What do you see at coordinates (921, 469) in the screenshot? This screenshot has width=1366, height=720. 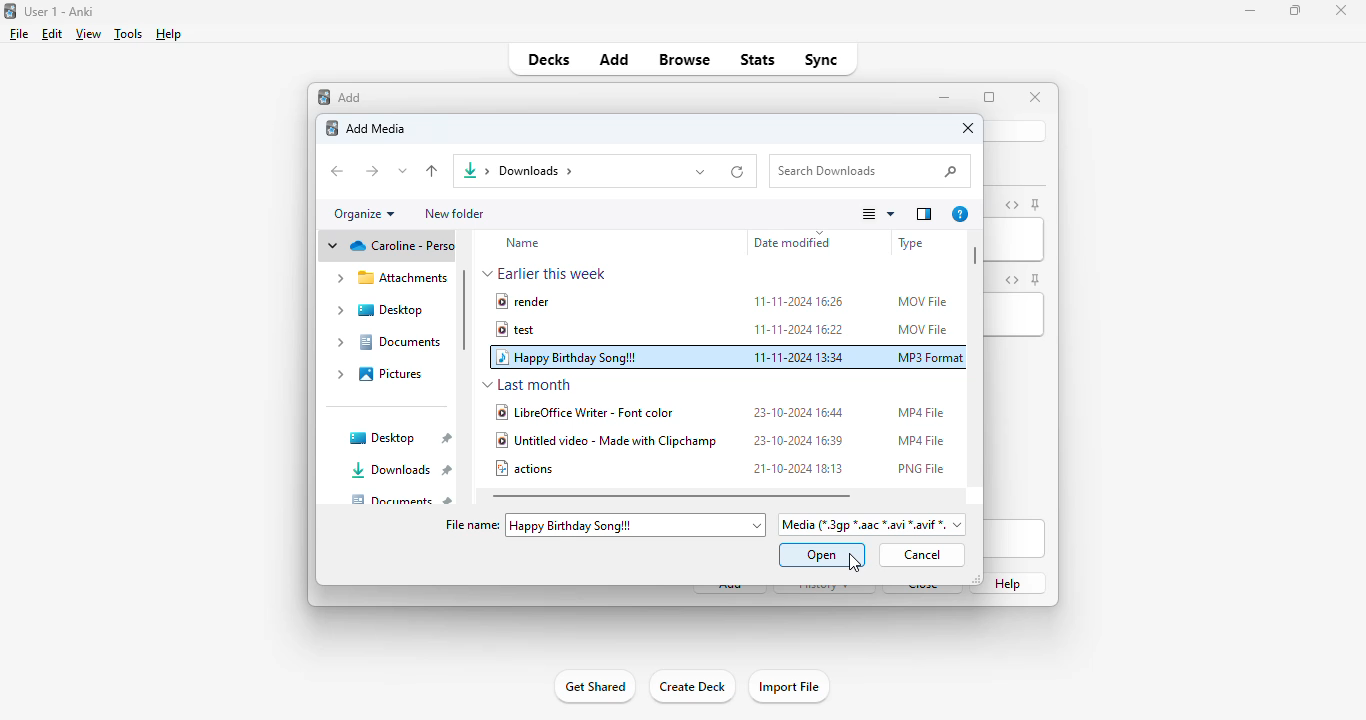 I see `PNG file` at bounding box center [921, 469].